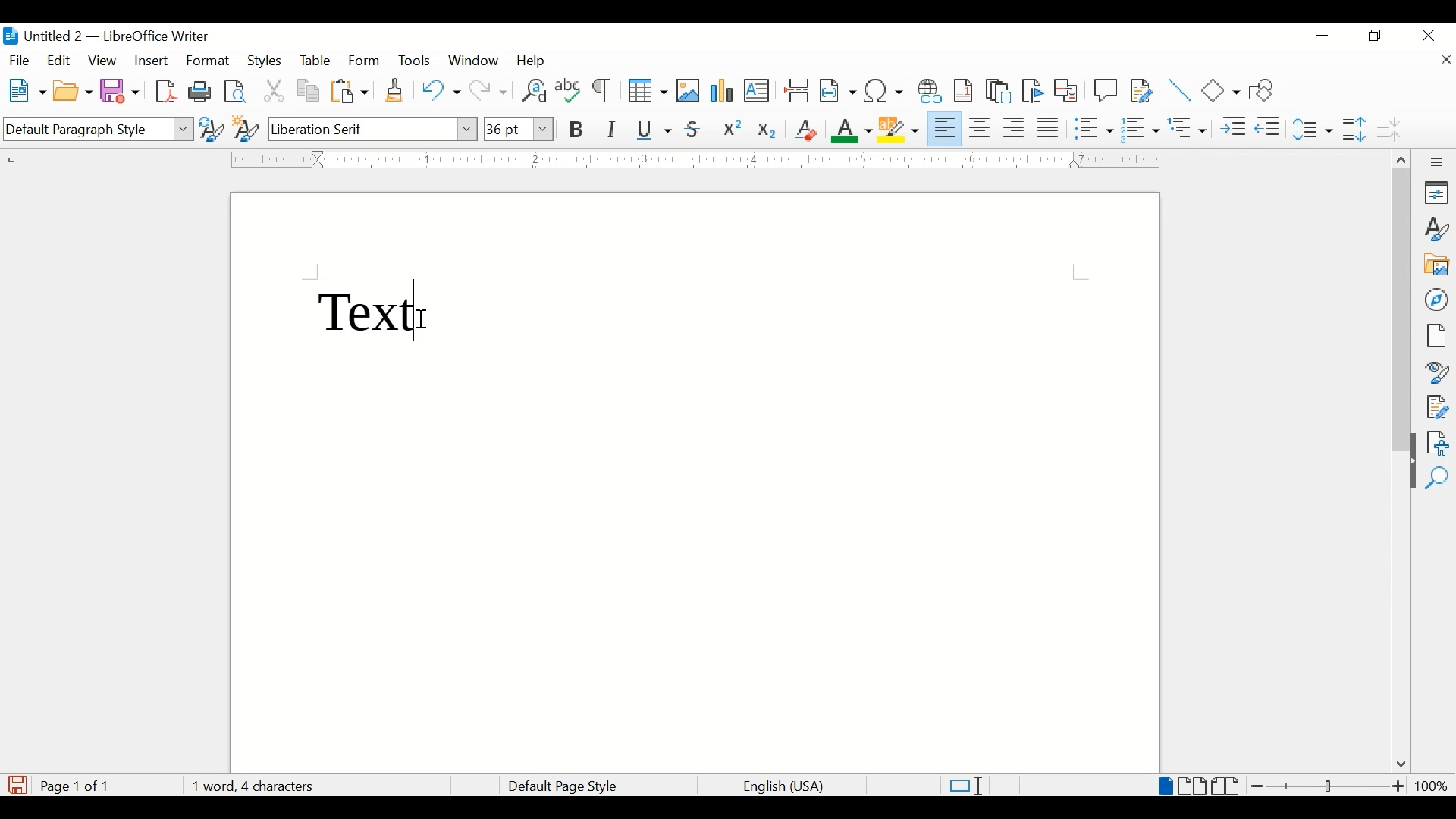 The image size is (1456, 819). I want to click on increase indent, so click(1233, 129).